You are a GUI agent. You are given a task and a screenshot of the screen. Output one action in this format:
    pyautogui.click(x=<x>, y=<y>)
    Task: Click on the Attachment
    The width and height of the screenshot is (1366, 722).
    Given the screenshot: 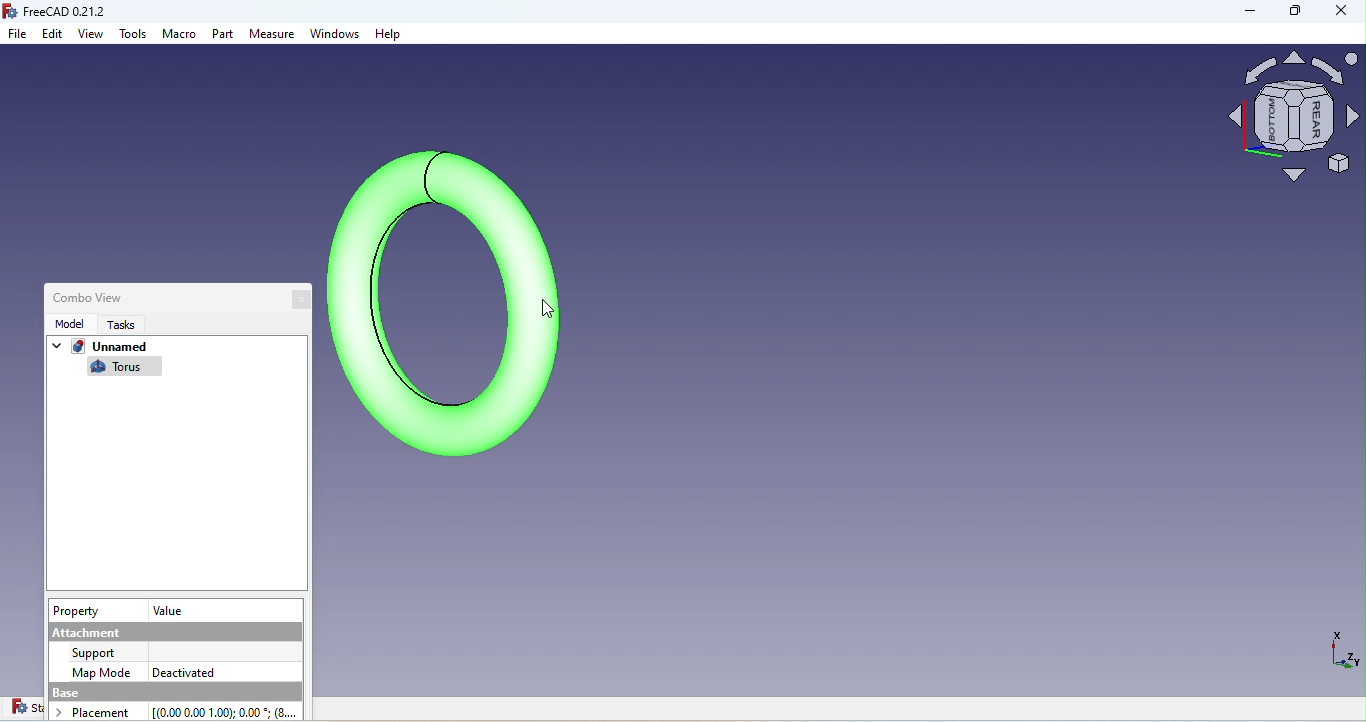 What is the action you would take?
    pyautogui.click(x=174, y=630)
    